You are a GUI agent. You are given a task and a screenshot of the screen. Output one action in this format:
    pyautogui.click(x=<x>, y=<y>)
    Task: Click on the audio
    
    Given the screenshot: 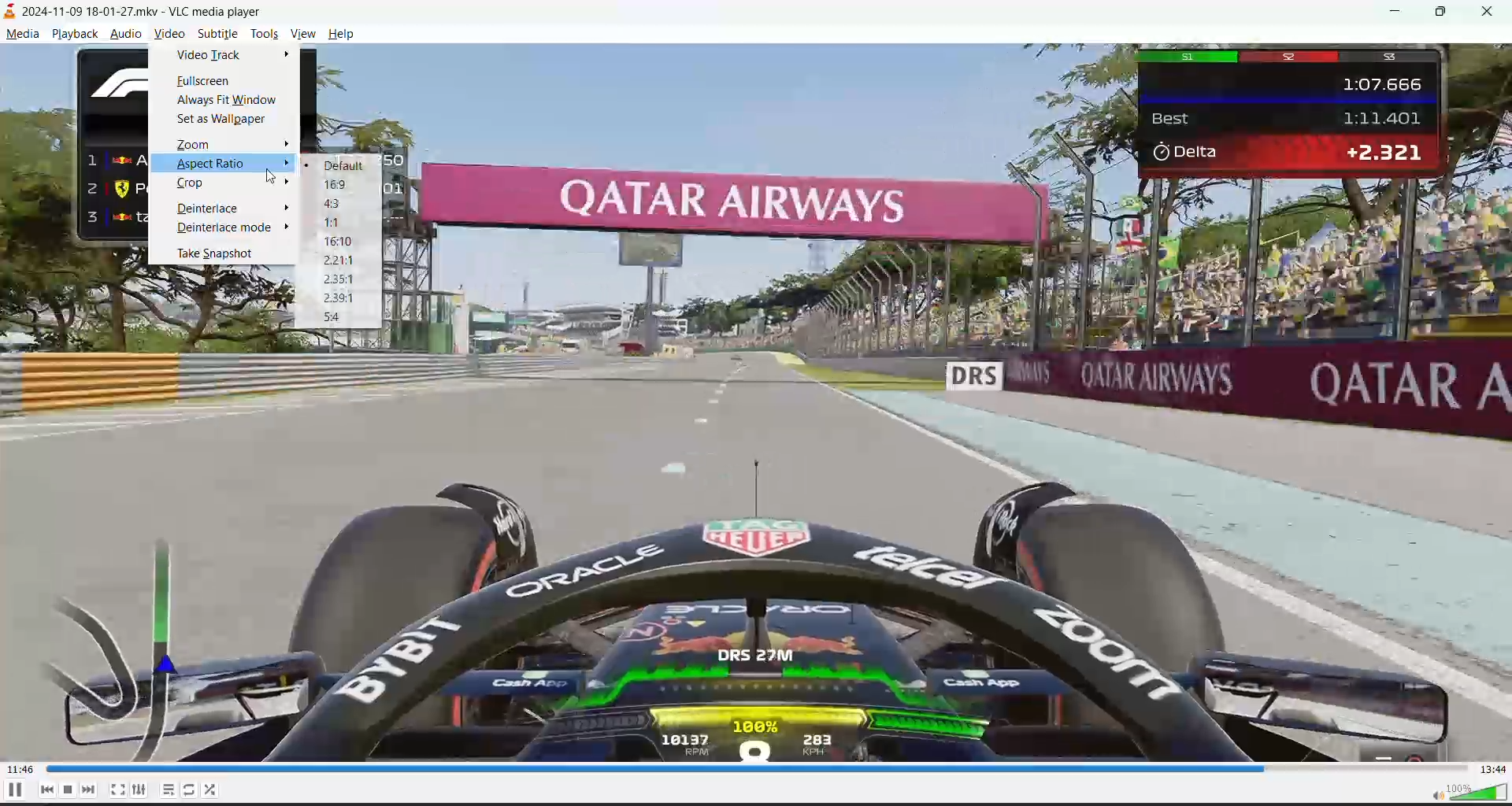 What is the action you would take?
    pyautogui.click(x=130, y=35)
    